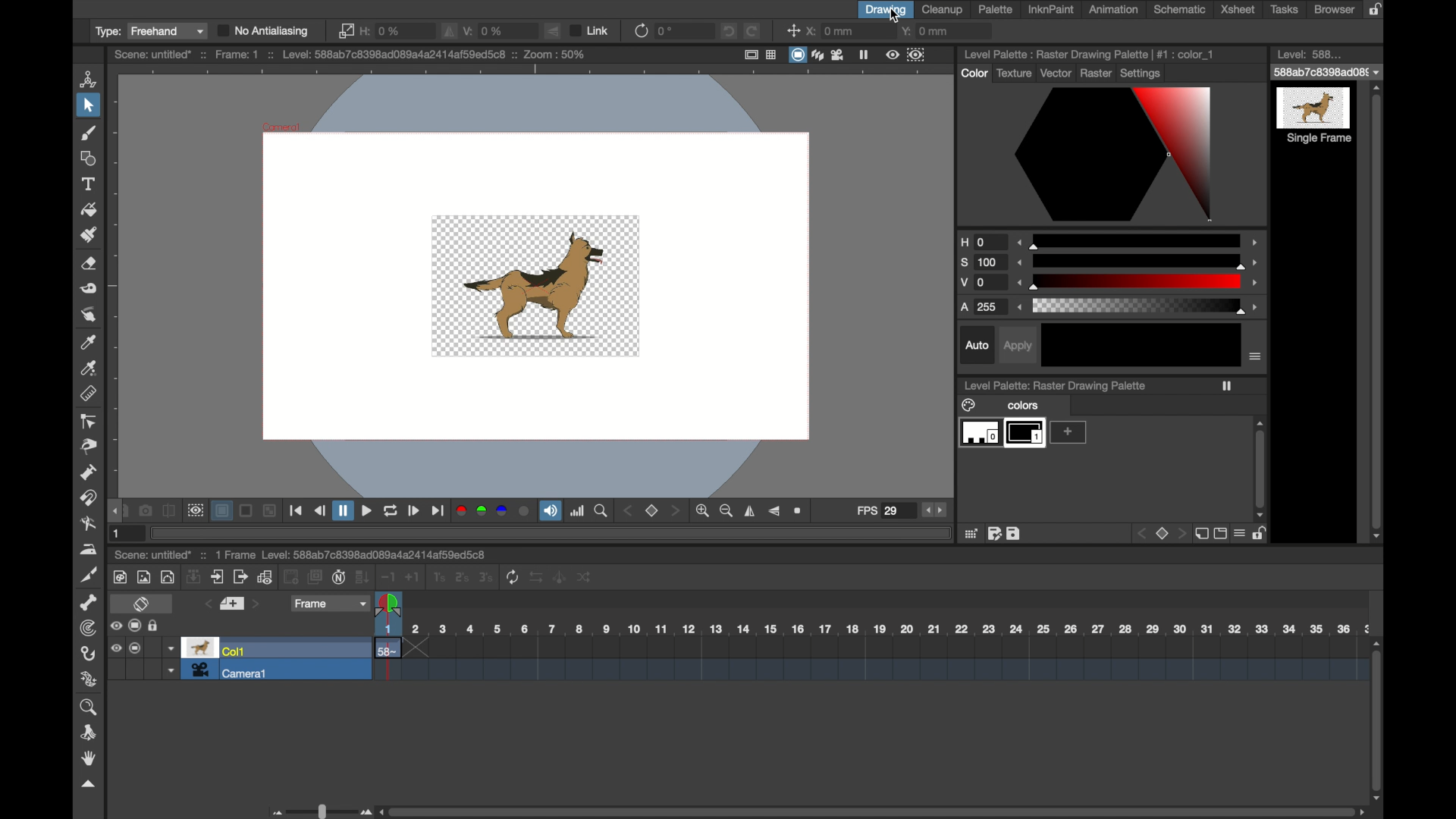  I want to click on , so click(1140, 281).